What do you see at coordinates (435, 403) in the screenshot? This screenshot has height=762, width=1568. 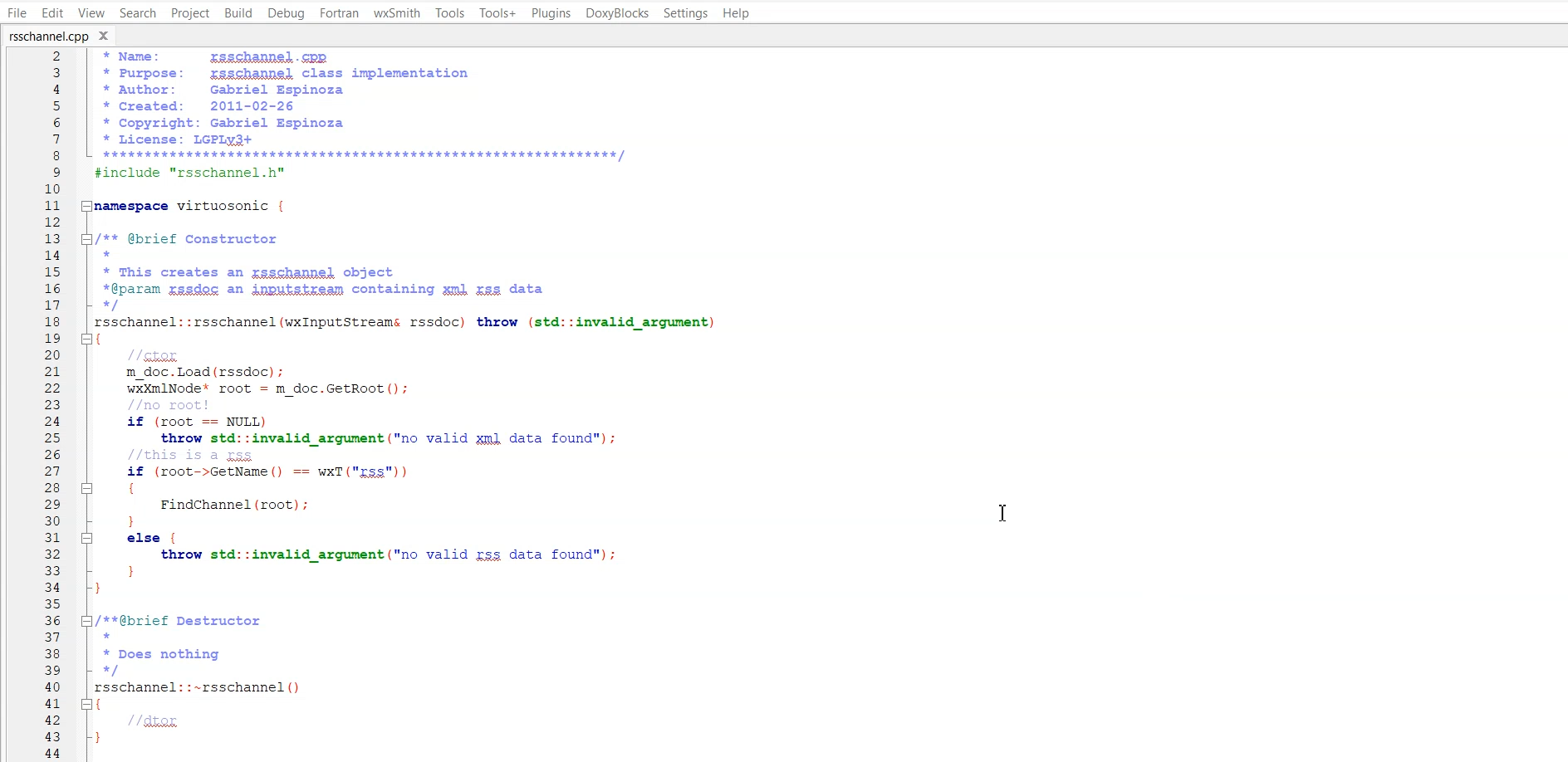 I see `+Name: rsschannel.cpp* Purpose:  zsschanpel class implementation* Ruthor: Gabriel Espinoza* Created: 2011-02-26* Copyright: Gabriel Espinoza* License: LGPLy3+LT TTY]#include "rsschannel.h”namespace virtuosonic {/** @brief Constructor** This creates an zsschanpel object*@param gssdoc an ipputstream containing xml zss dataxrsschannel::rsschannel (wxInputStreams rssdoc) throw (std::invalid argument1m_doc. Load (rssdoc) ;wxXmlNode* root = m_doc.GetRoot();if (root == NULL)throw std::invalid argument ("no valid zml data found");if (root->GetName() == wxT("rss"))] {FindChannel (root) ;: }| else {throw std::invalid argument ("no valid rss data found");] }}/**@brief Destructor** Does nothingxrsschannel::-~rsschannel()1//dtor}` at bounding box center [435, 403].